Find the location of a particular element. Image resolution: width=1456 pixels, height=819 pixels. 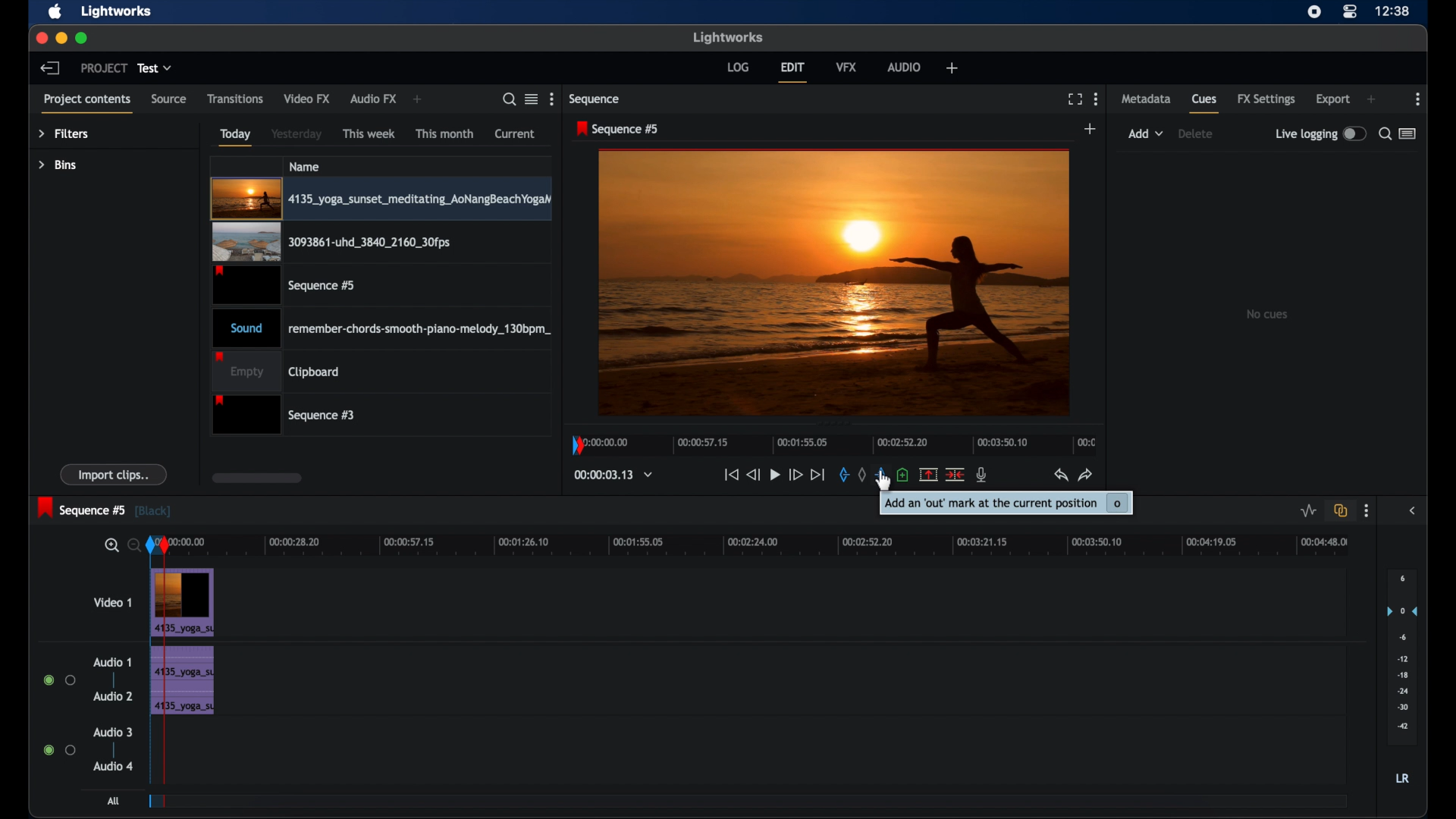

search for cues is located at coordinates (1384, 133).